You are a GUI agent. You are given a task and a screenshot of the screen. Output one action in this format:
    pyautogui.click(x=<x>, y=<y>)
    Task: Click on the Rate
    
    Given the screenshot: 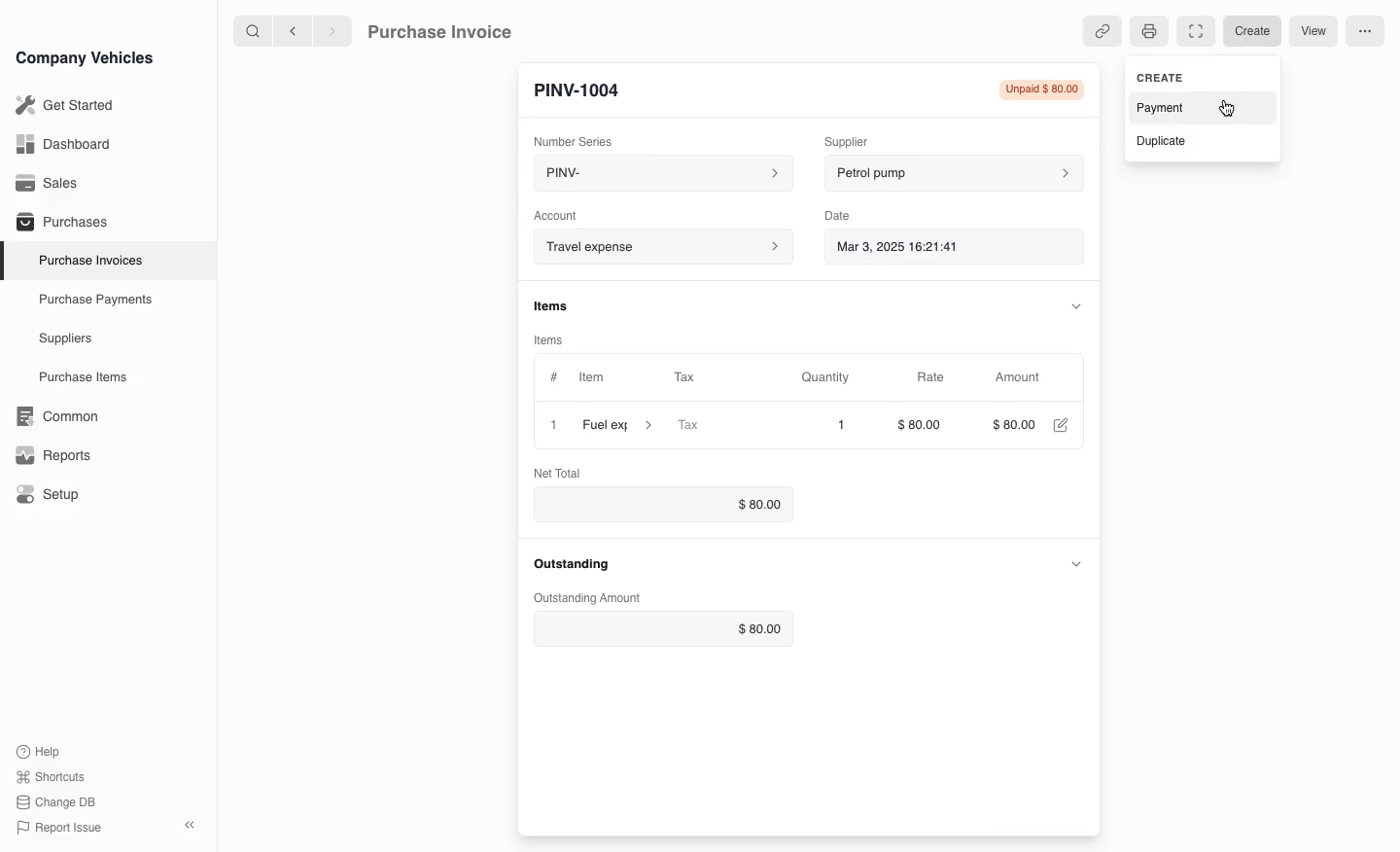 What is the action you would take?
    pyautogui.click(x=932, y=377)
    